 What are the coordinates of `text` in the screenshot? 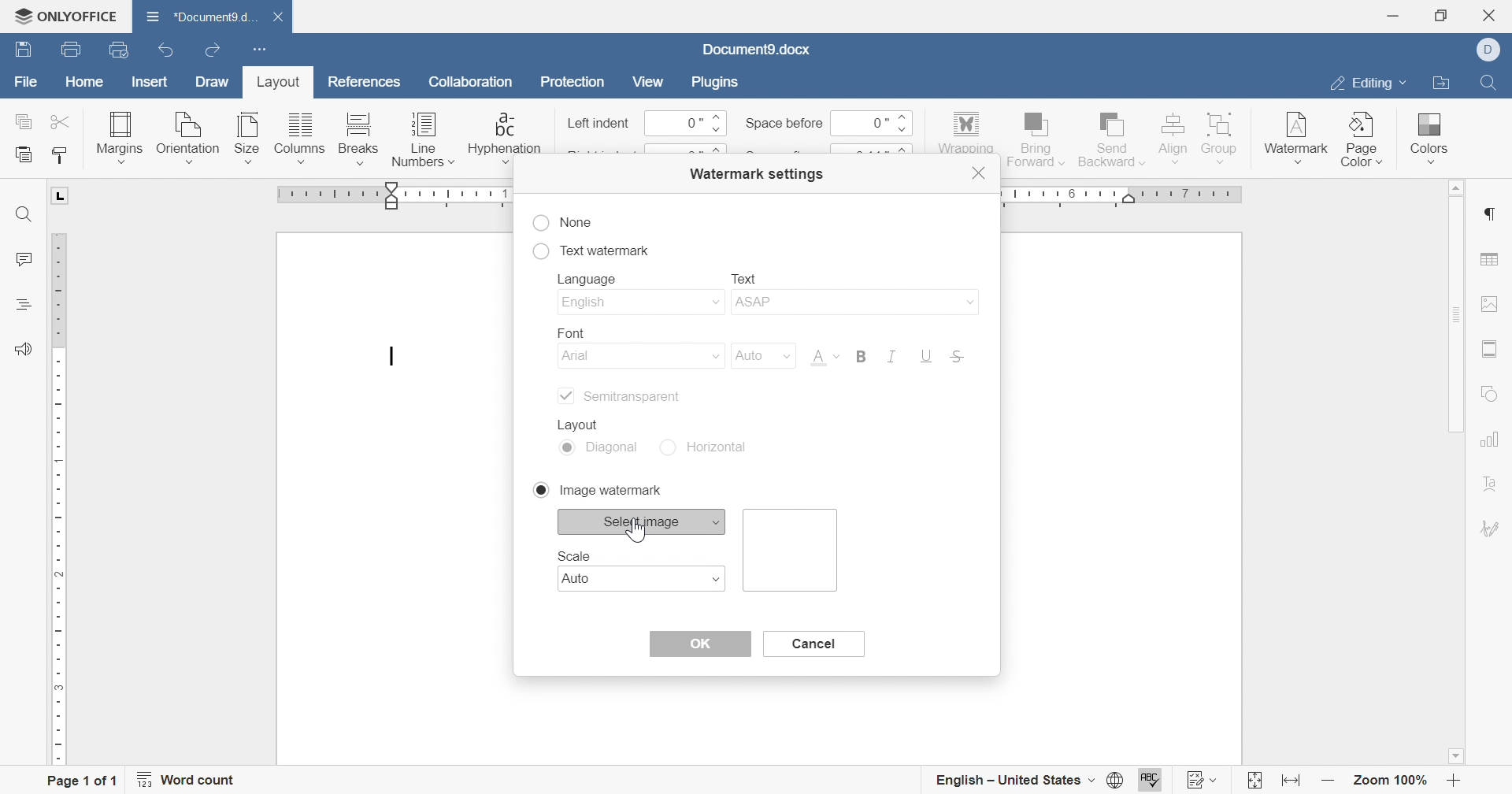 It's located at (744, 276).